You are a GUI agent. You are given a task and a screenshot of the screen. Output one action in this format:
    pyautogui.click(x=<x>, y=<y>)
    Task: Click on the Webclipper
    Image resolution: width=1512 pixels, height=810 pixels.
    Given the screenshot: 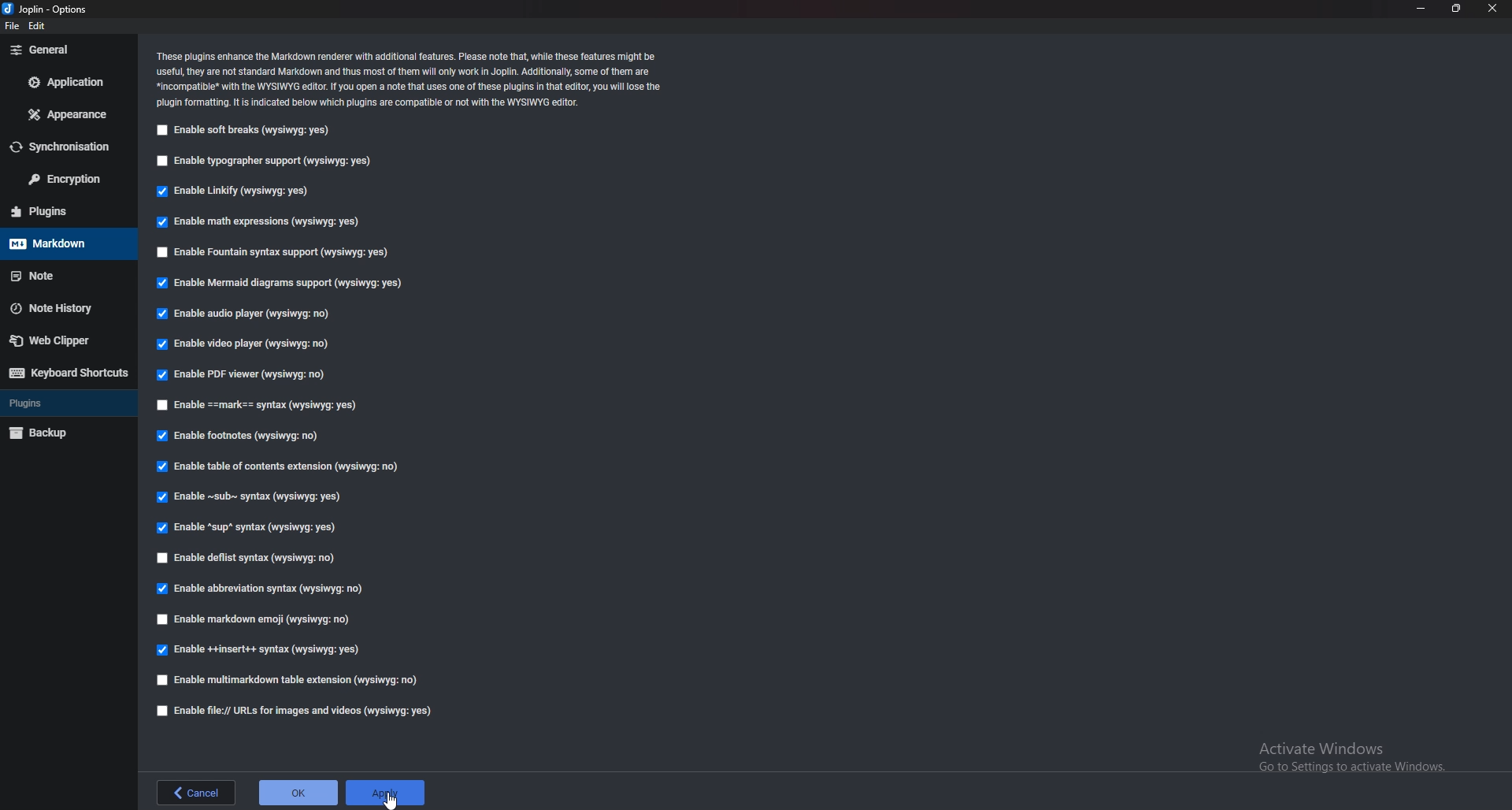 What is the action you would take?
    pyautogui.click(x=64, y=341)
    